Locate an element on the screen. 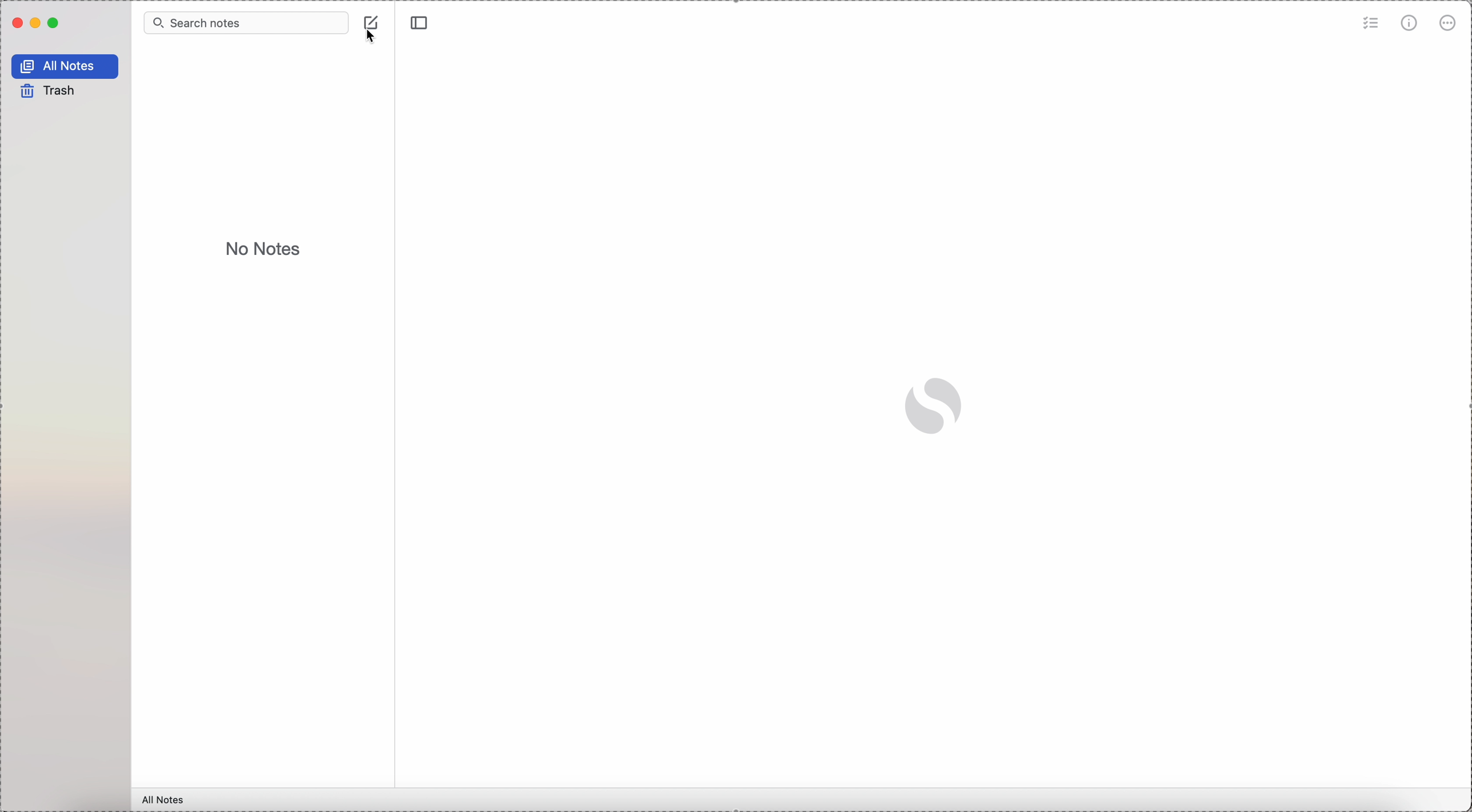 This screenshot has width=1472, height=812. Simplenote logo is located at coordinates (934, 407).